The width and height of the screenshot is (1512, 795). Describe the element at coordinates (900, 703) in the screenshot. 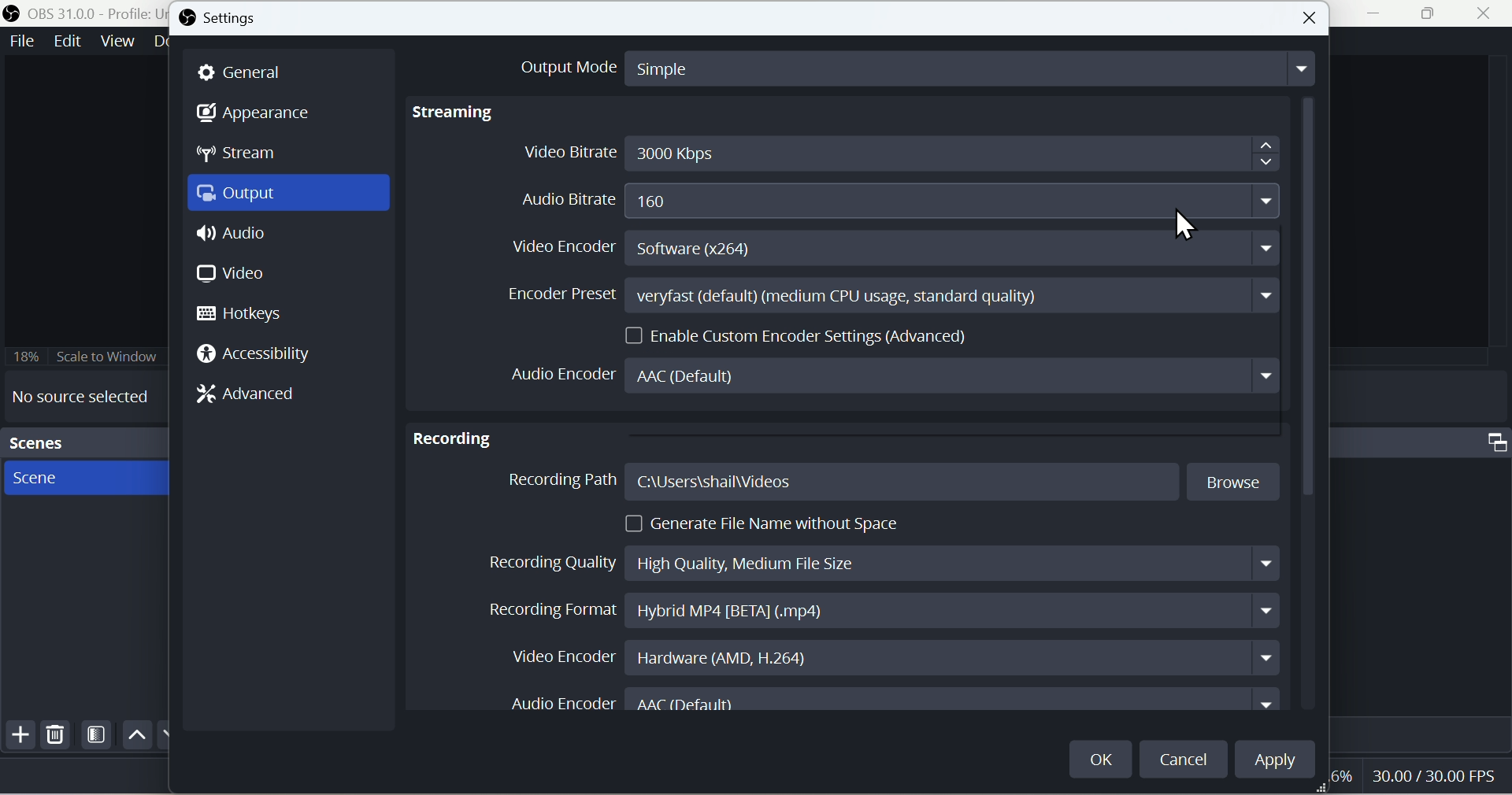

I see `Audio Encoder` at that location.